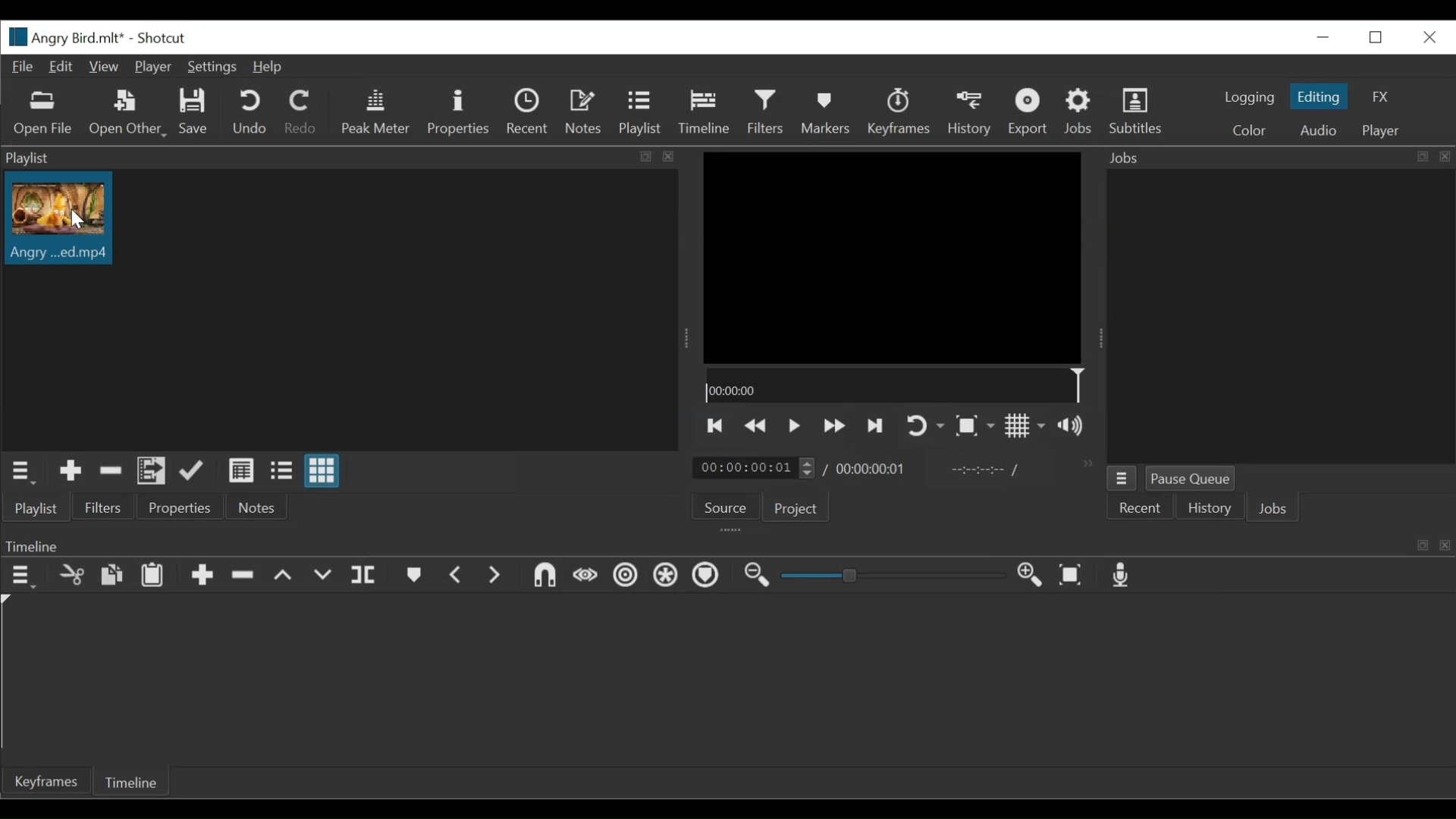 The image size is (1456, 819). What do you see at coordinates (340, 158) in the screenshot?
I see `Playlist Panel` at bounding box center [340, 158].